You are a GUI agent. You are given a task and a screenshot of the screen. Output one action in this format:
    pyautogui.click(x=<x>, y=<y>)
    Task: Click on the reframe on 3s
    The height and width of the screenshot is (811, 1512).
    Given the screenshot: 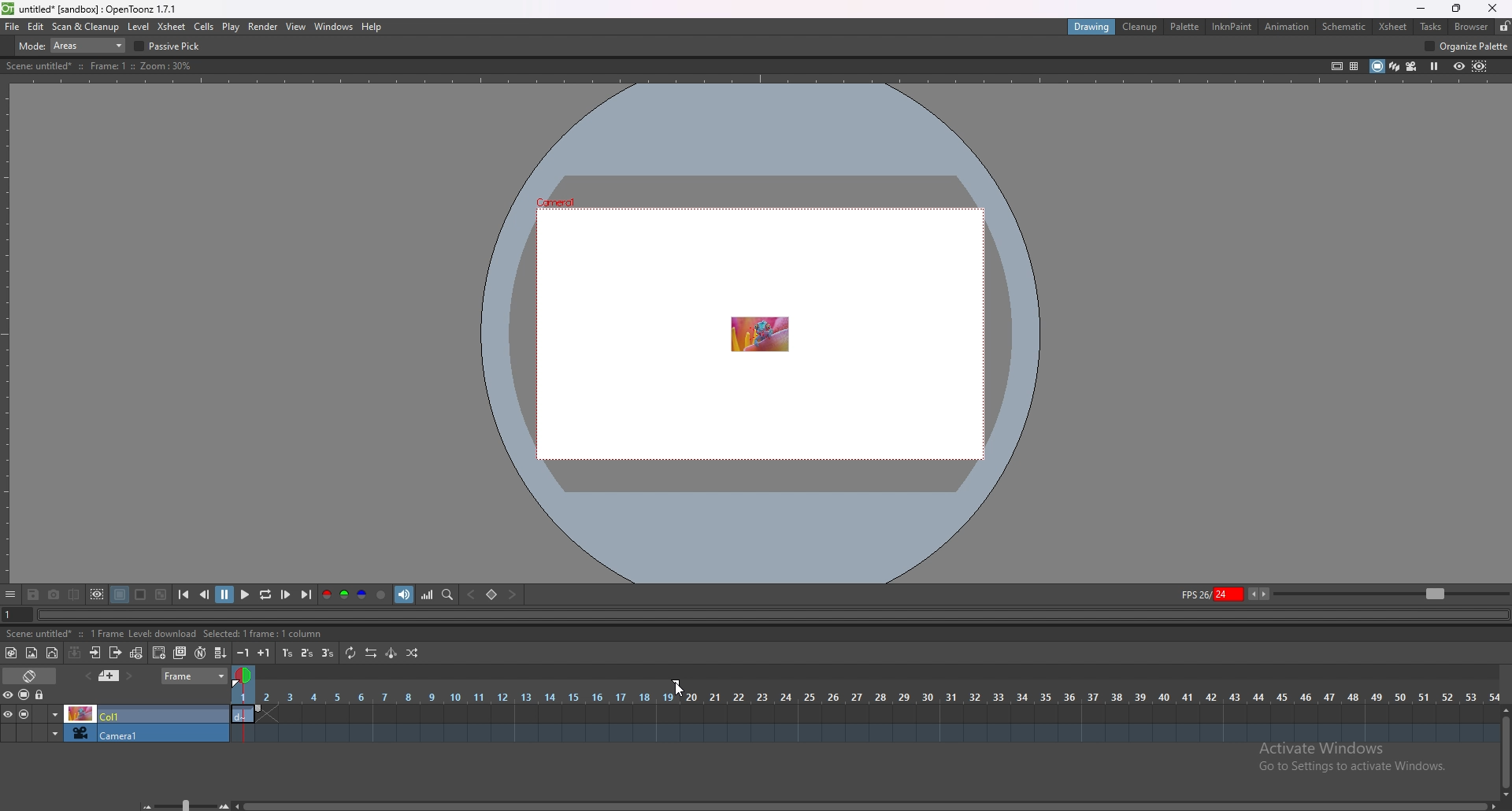 What is the action you would take?
    pyautogui.click(x=328, y=653)
    